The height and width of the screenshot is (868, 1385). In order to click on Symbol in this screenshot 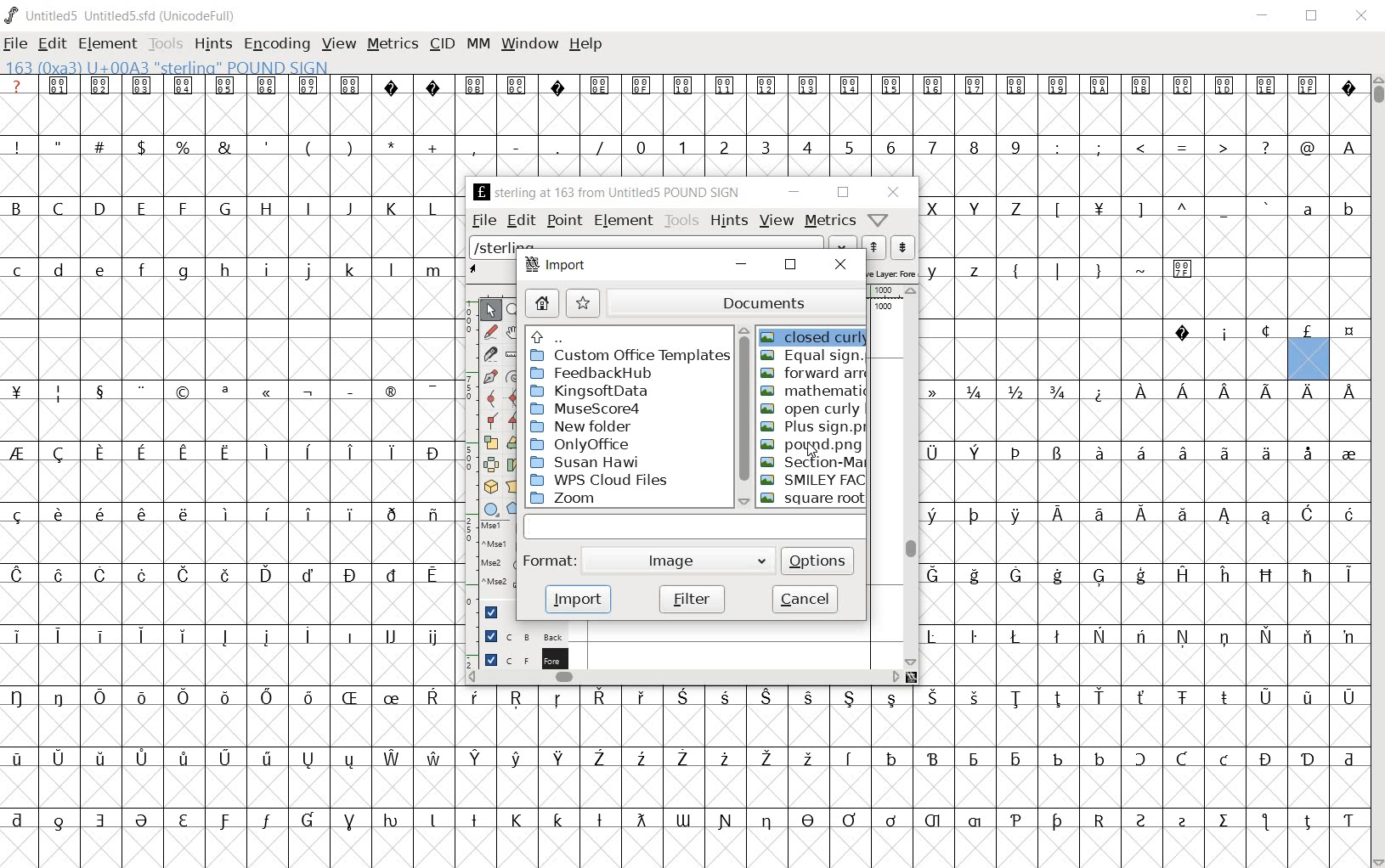, I will do `click(389, 700)`.